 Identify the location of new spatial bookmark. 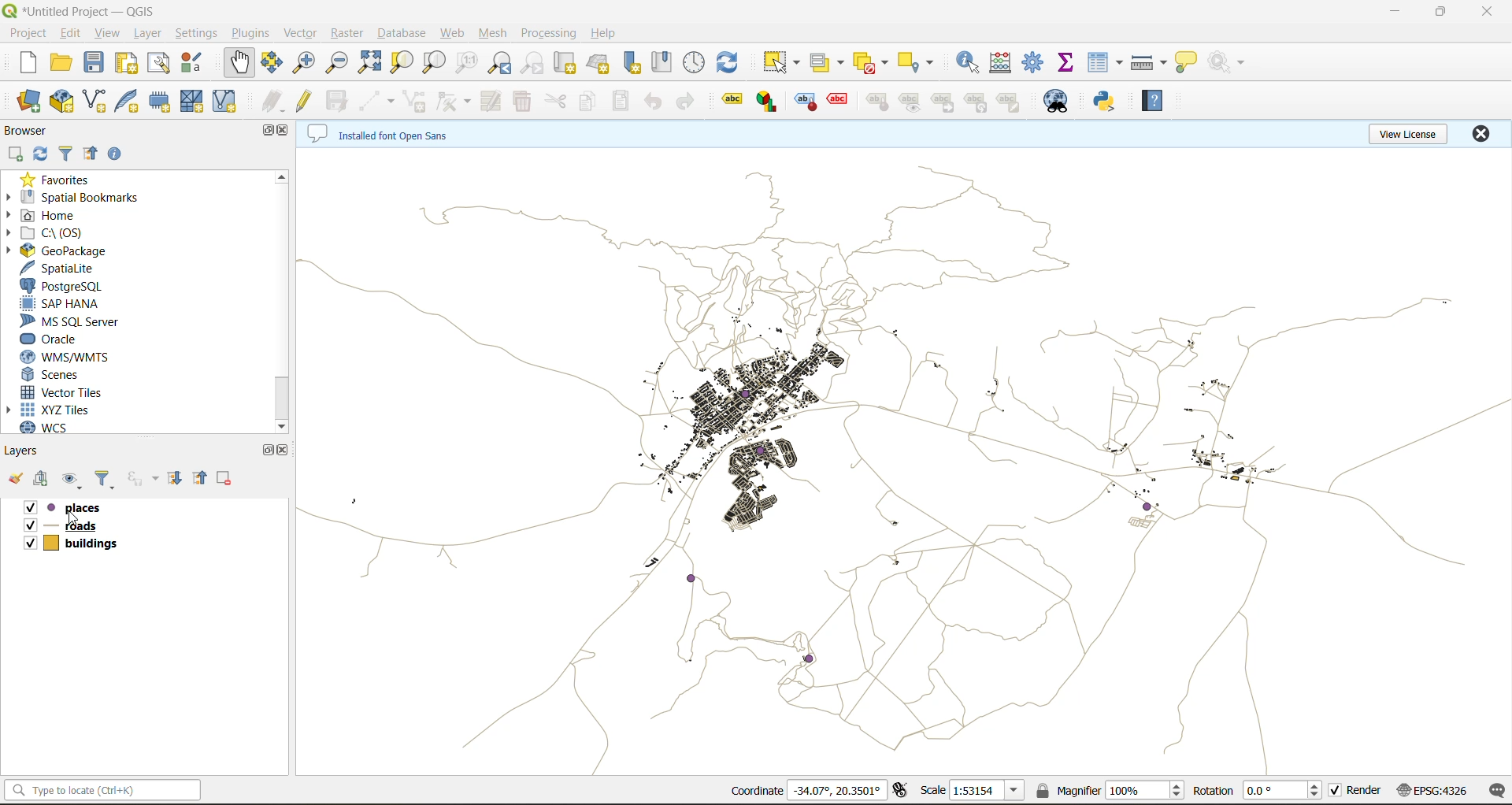
(637, 61).